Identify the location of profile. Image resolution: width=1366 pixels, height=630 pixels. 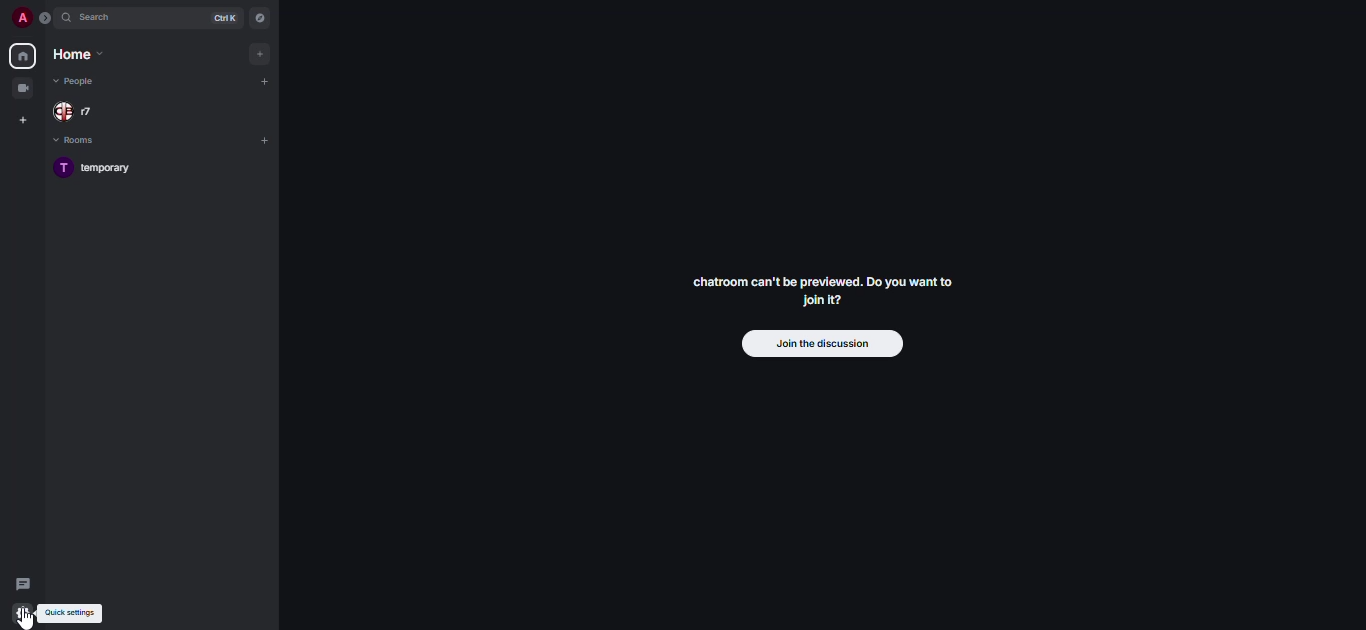
(17, 16).